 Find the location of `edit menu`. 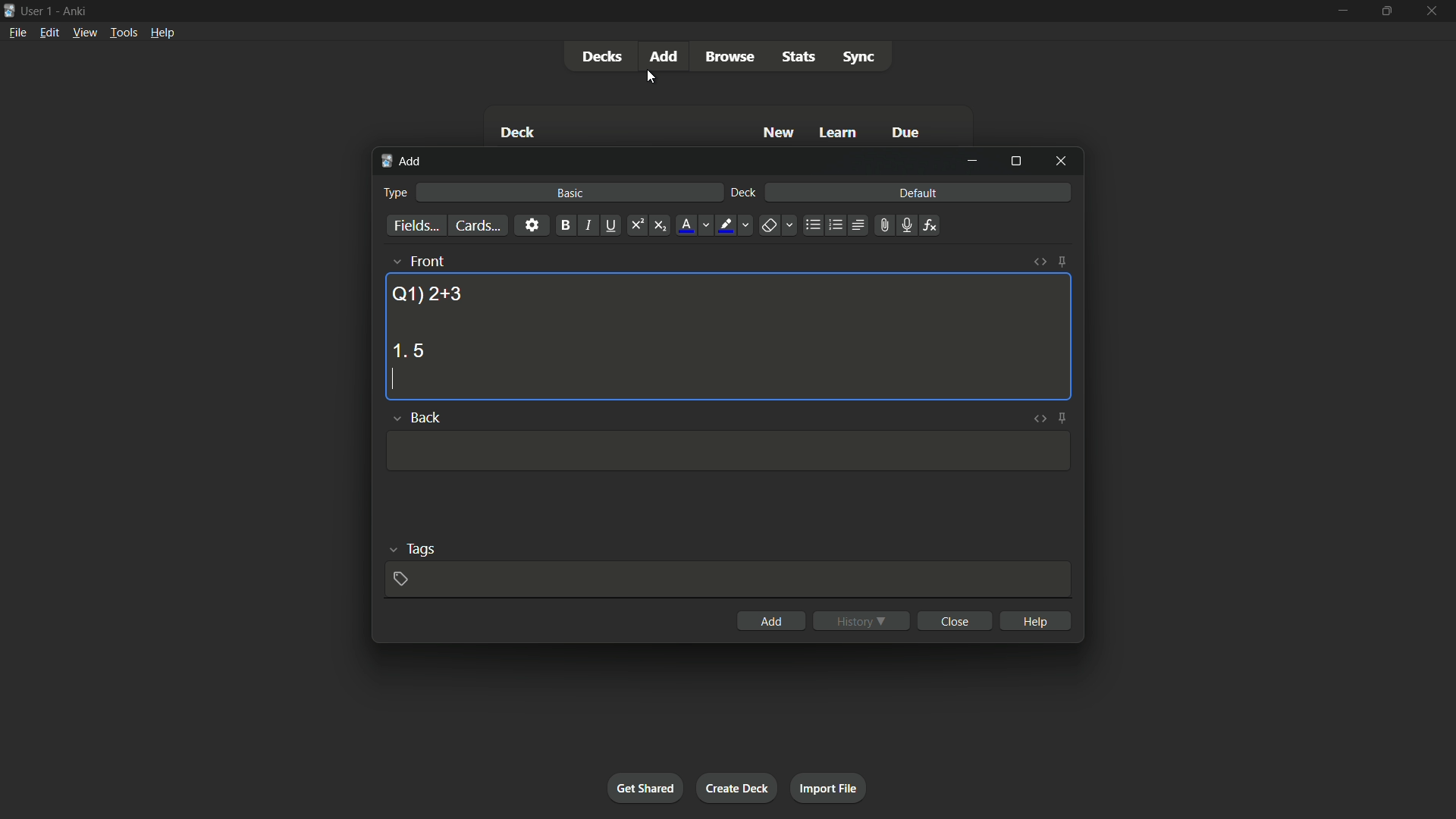

edit menu is located at coordinates (50, 32).